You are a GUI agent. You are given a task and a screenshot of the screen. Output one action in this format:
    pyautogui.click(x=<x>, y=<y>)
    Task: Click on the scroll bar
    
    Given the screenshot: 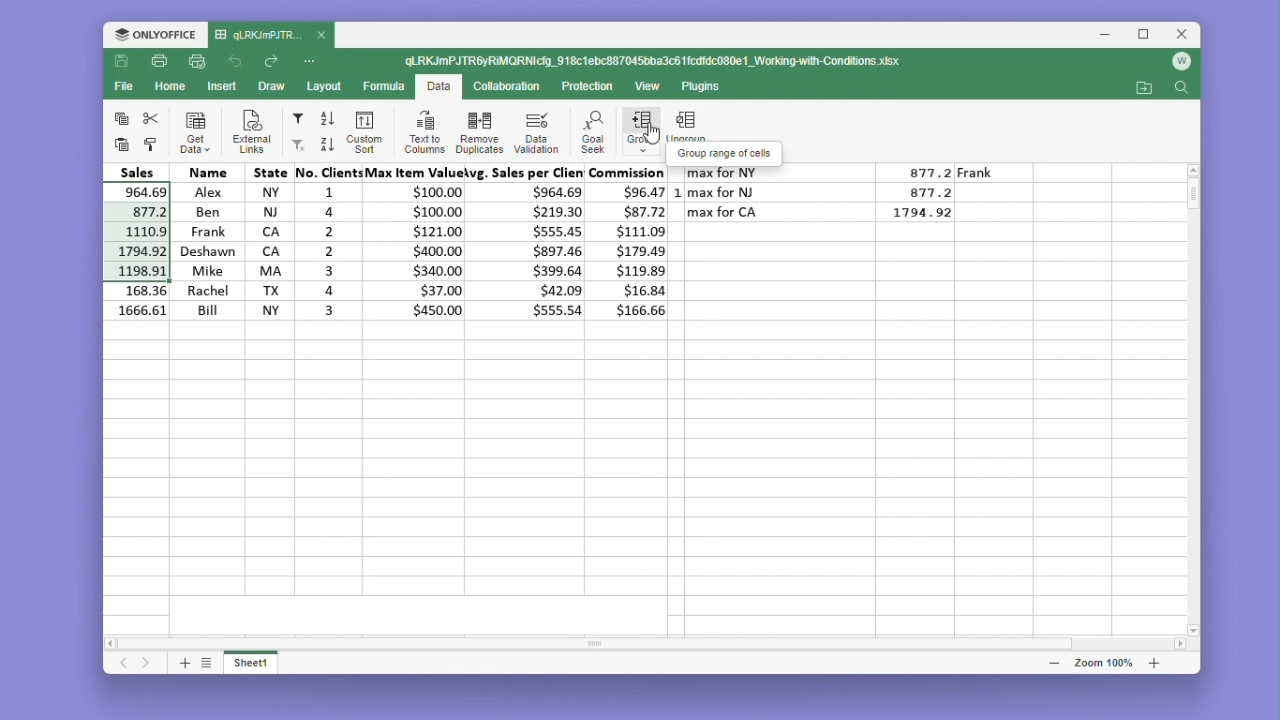 What is the action you would take?
    pyautogui.click(x=603, y=638)
    